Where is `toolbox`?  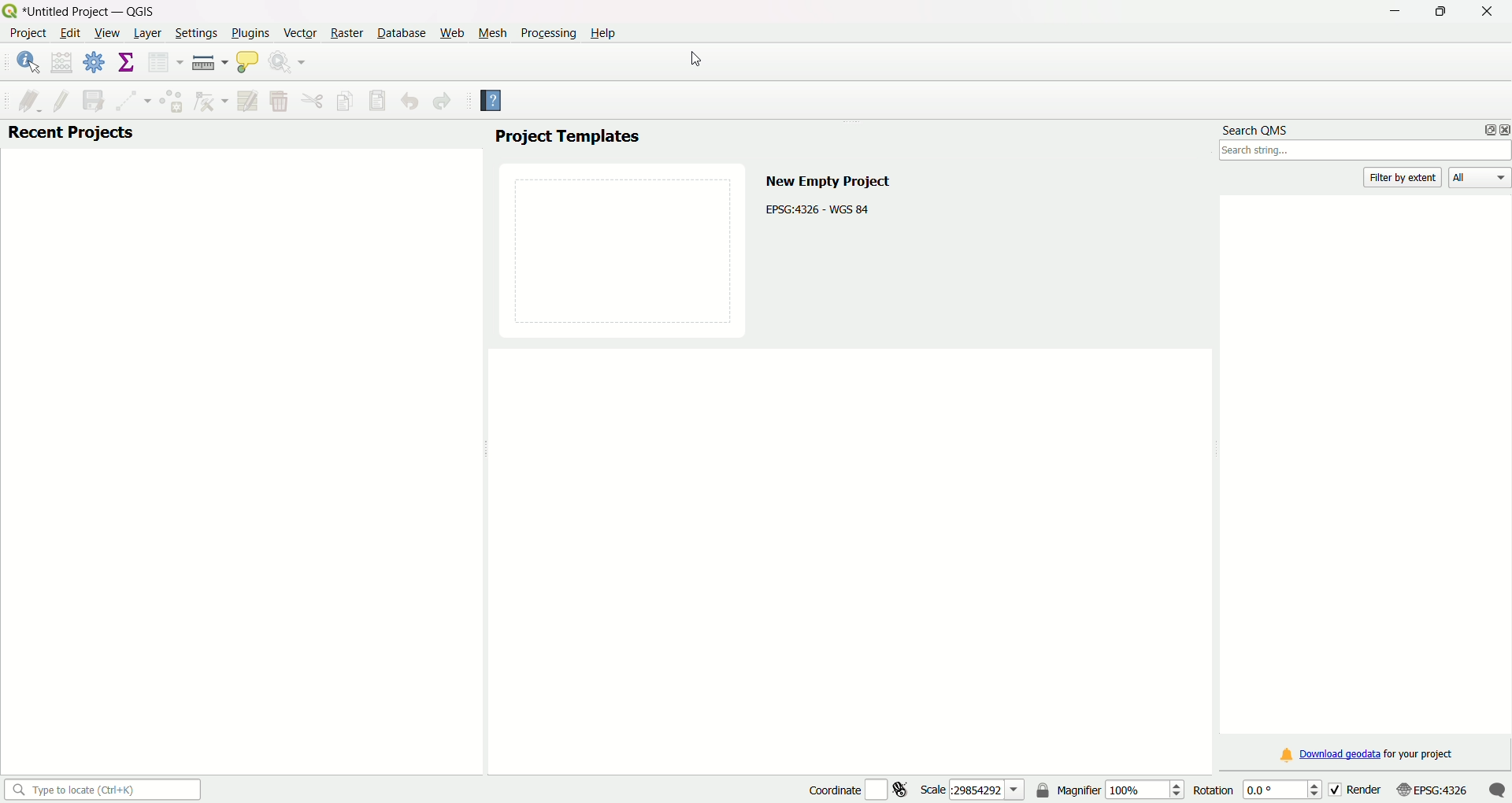 toolbox is located at coordinates (95, 65).